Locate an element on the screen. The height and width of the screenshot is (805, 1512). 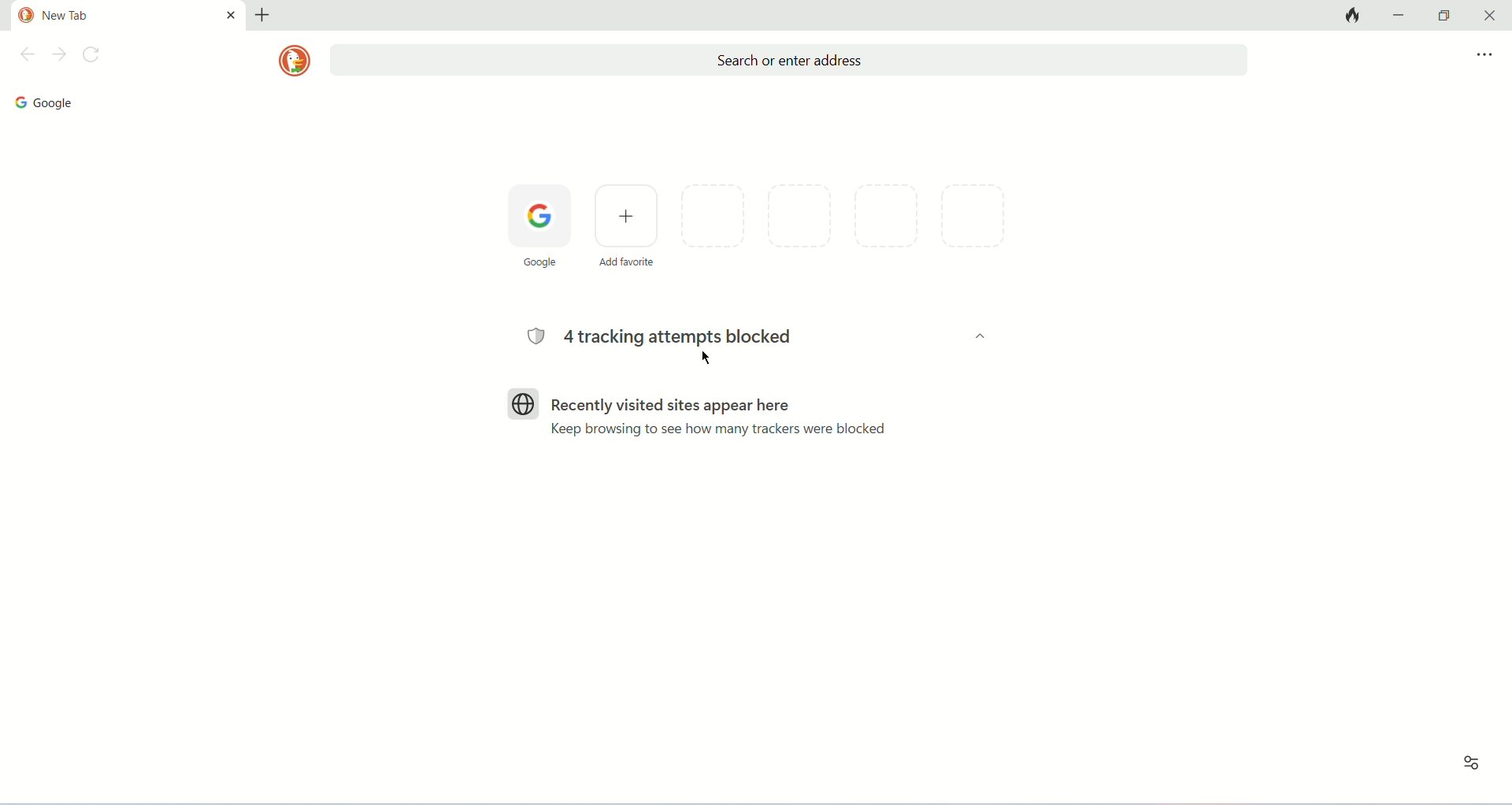
mouse cursor is located at coordinates (707, 359).